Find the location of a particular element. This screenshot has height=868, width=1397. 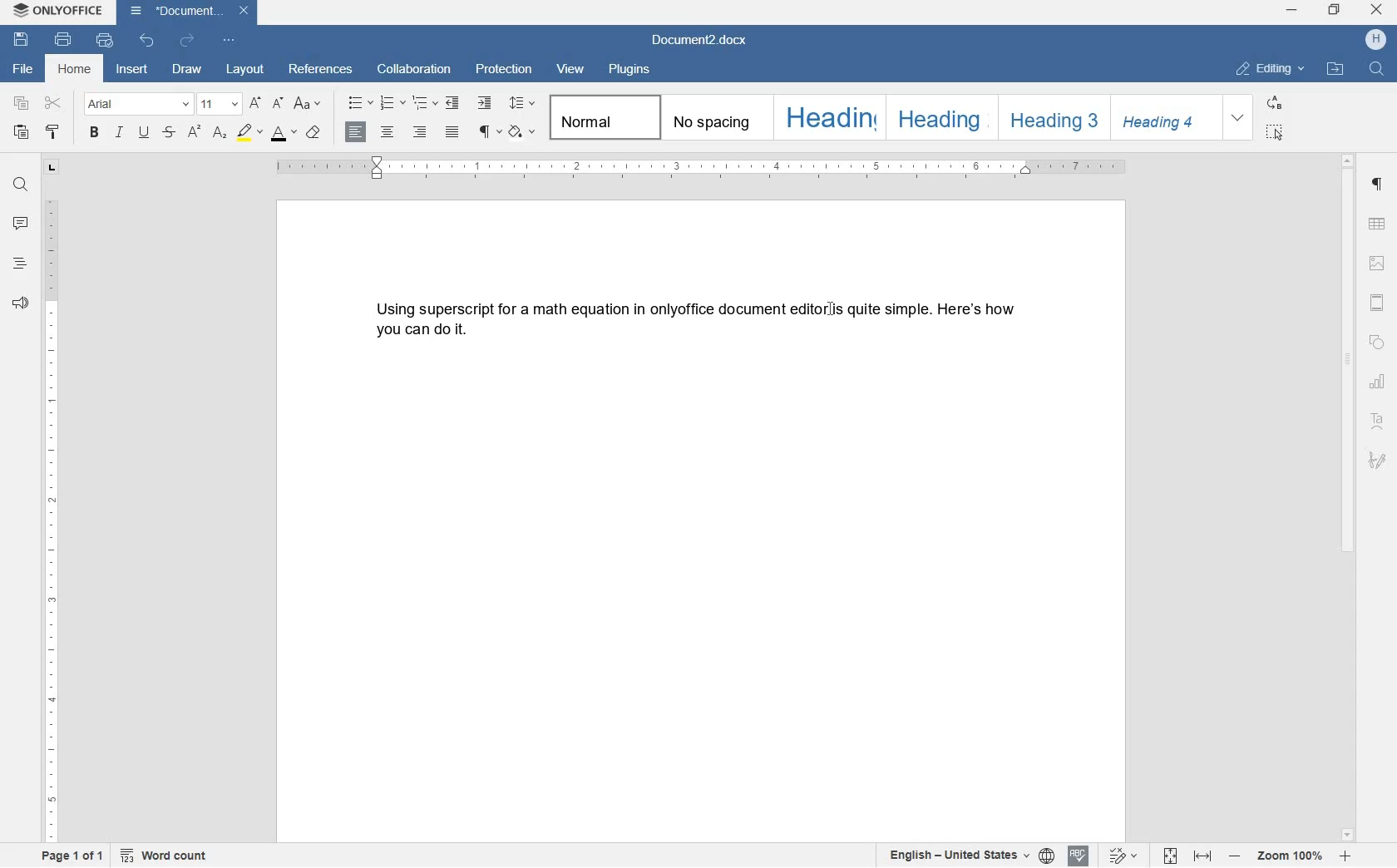

headings is located at coordinates (20, 264).